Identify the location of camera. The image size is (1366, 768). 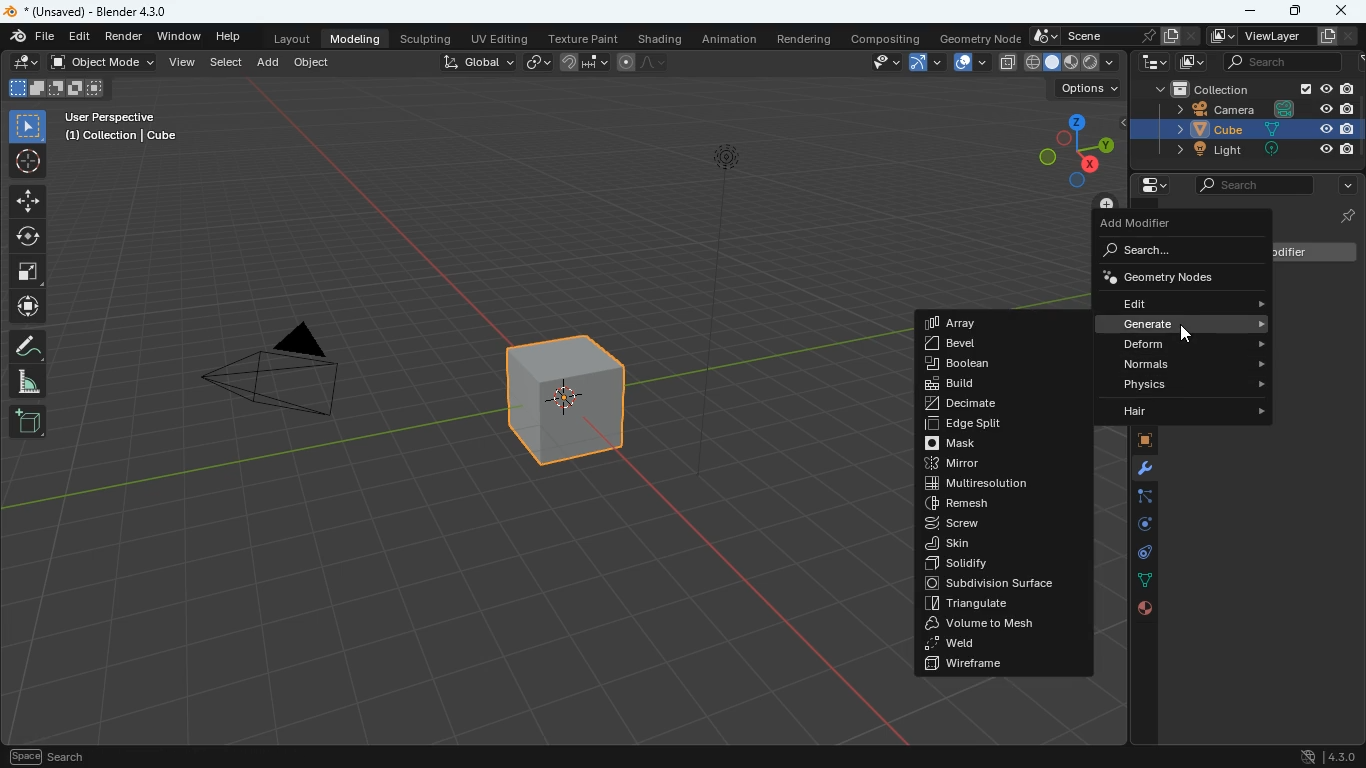
(289, 376).